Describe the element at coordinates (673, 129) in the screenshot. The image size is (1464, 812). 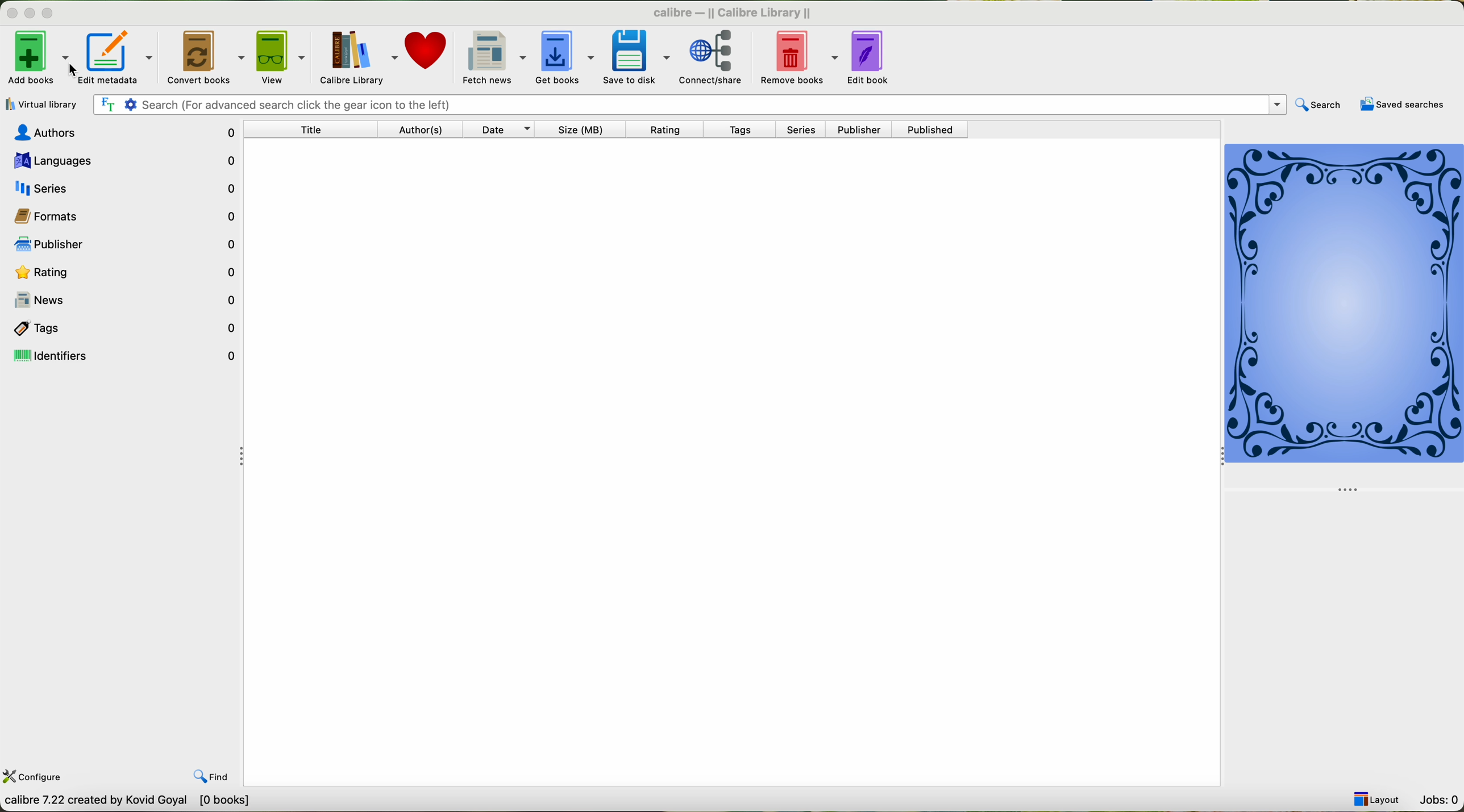
I see `rating` at that location.